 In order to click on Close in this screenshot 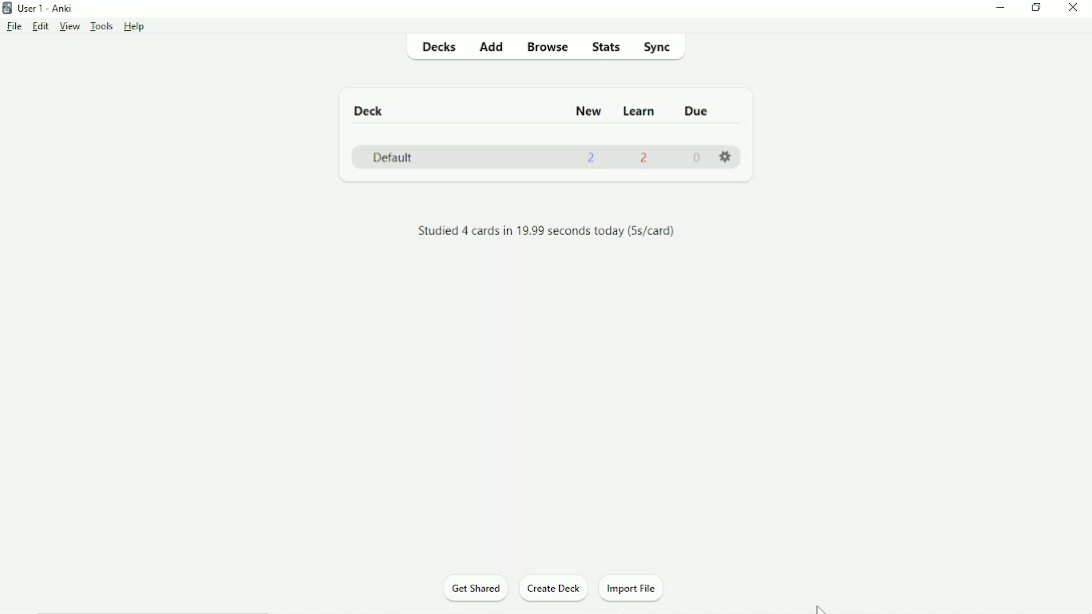, I will do `click(1076, 8)`.